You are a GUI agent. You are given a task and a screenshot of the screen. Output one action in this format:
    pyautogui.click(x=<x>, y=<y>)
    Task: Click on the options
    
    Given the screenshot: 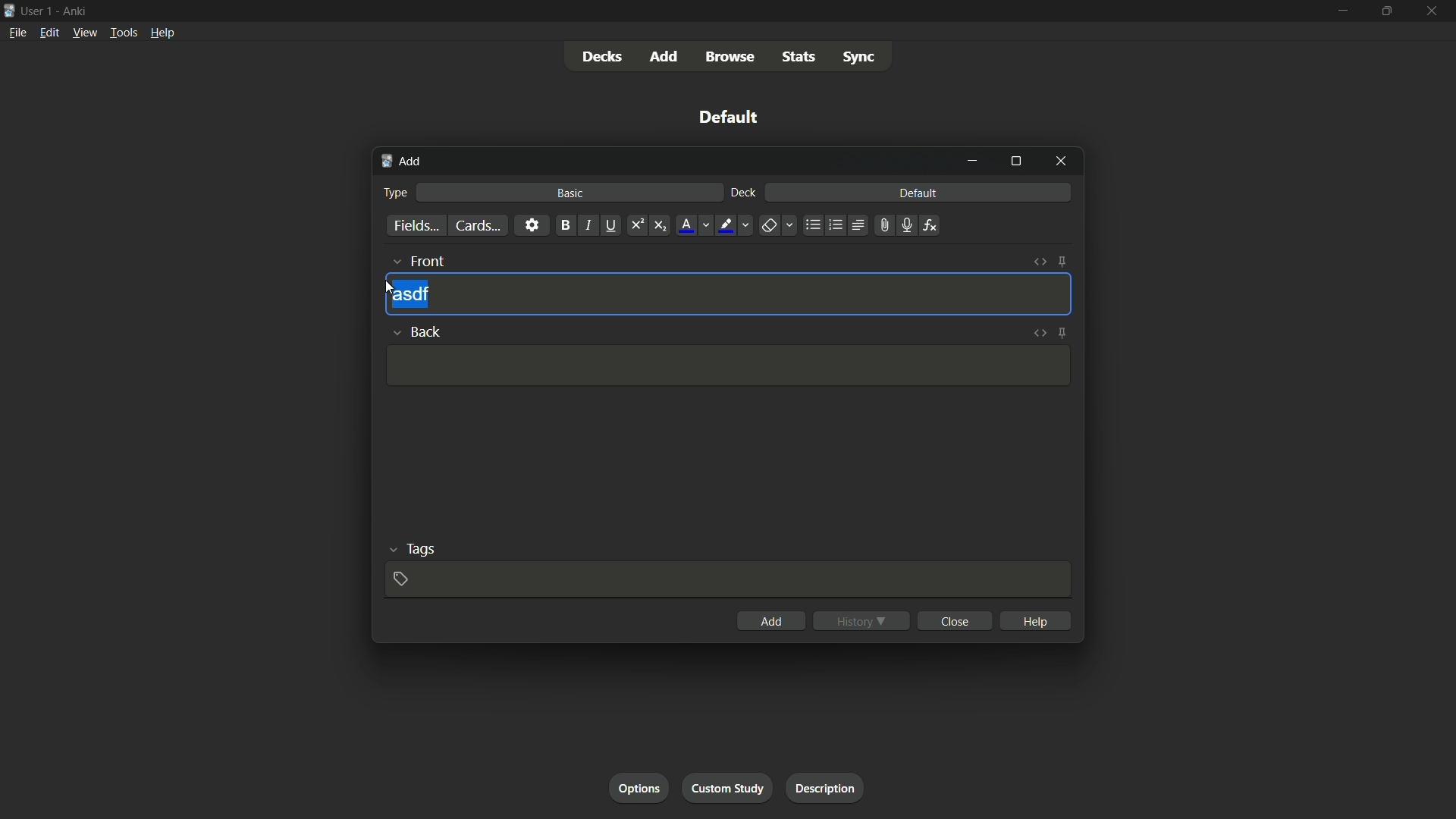 What is the action you would take?
    pyautogui.click(x=639, y=787)
    